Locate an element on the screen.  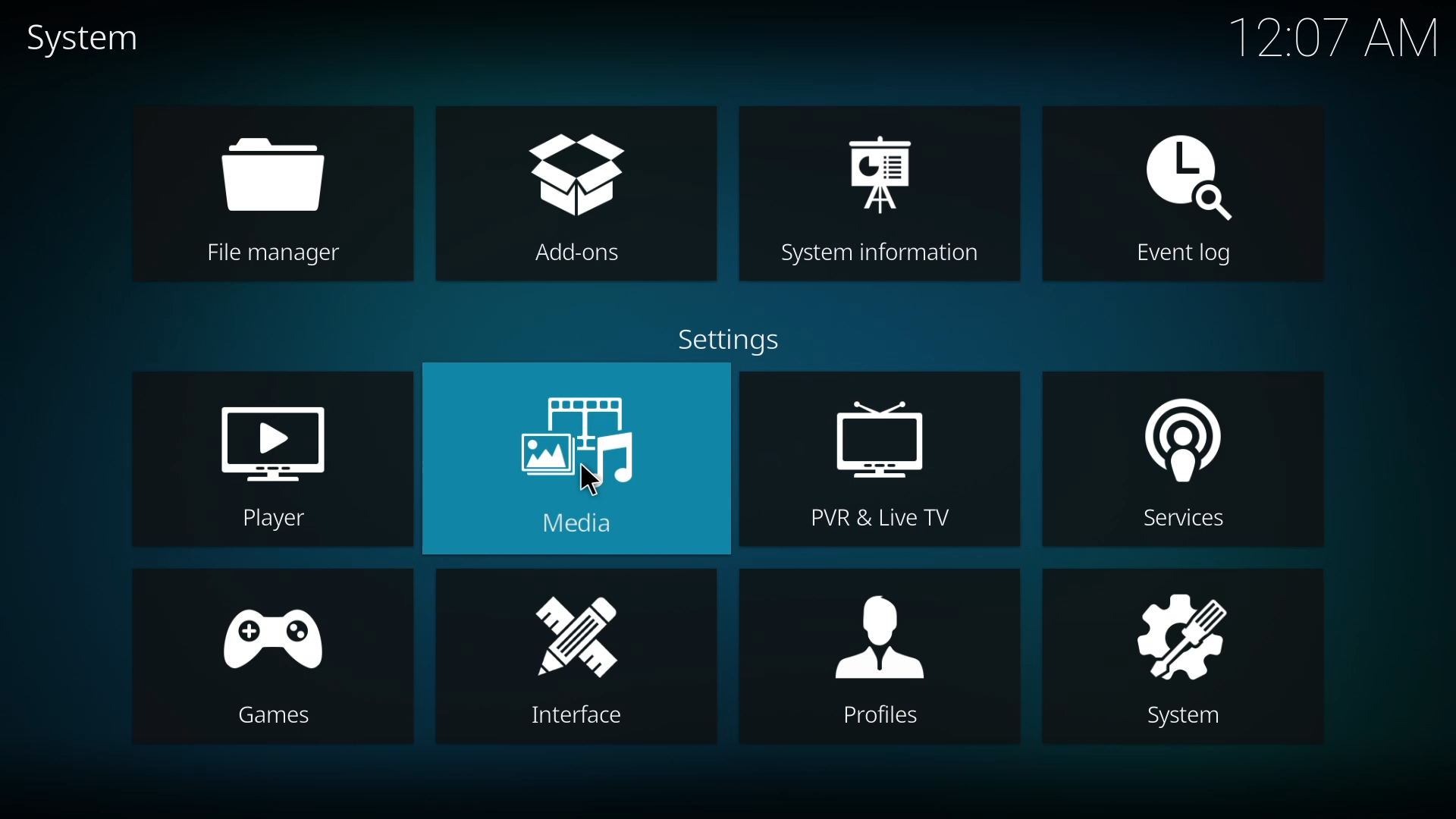
system information is located at coordinates (877, 195).